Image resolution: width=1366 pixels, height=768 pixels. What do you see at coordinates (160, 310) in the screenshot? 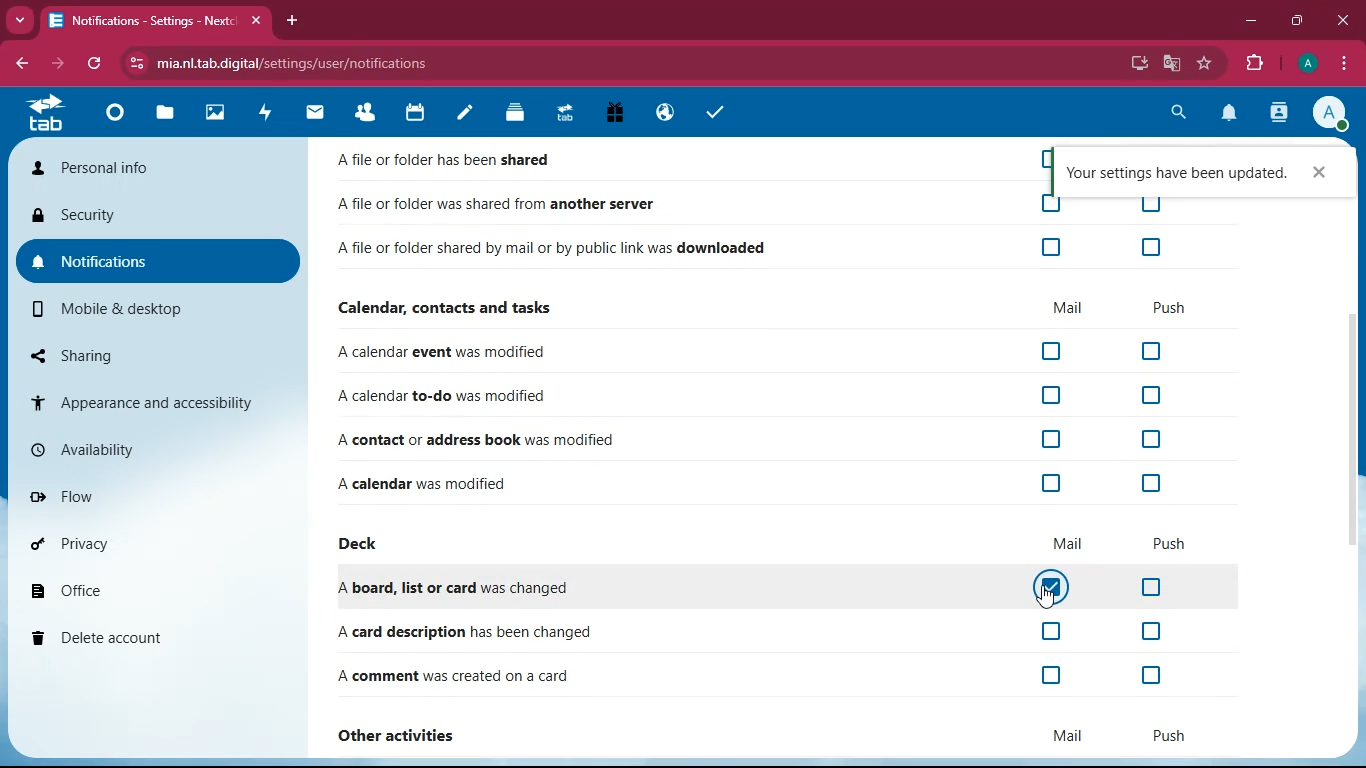
I see `mobile & desktop` at bounding box center [160, 310].